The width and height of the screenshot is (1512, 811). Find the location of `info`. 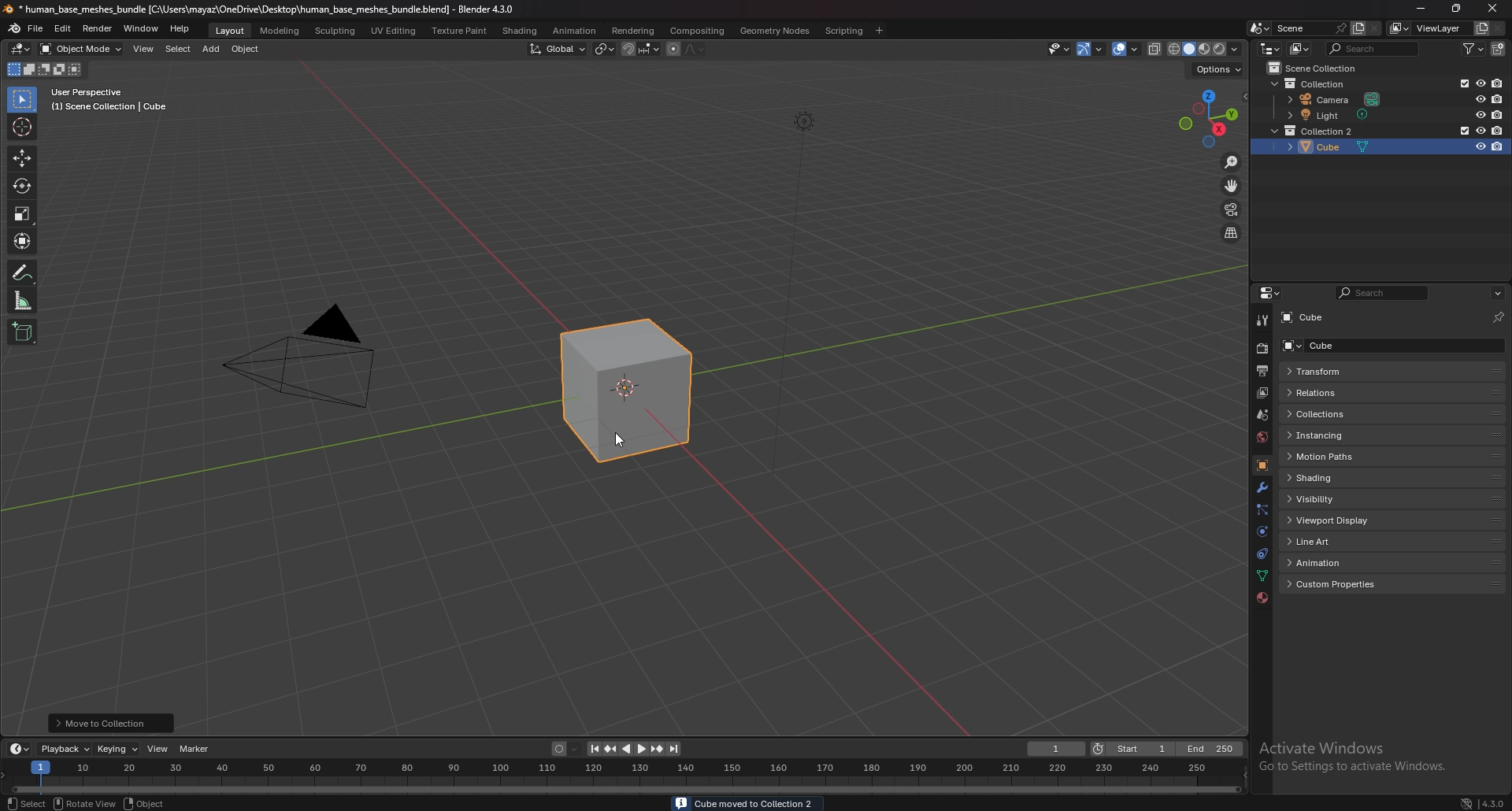

info is located at coordinates (747, 804).